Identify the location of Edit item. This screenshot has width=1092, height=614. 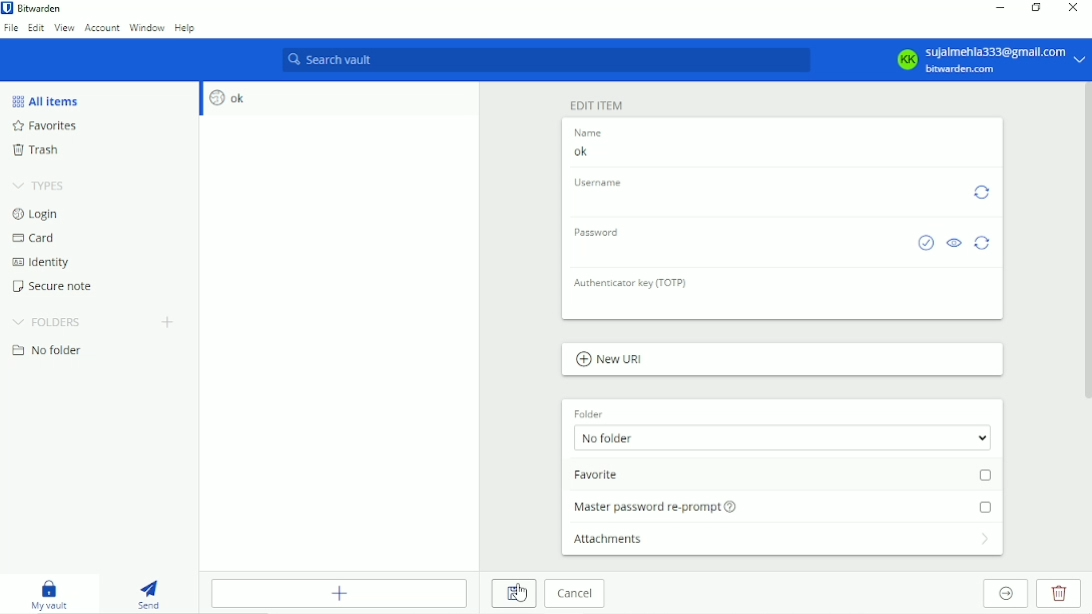
(601, 104).